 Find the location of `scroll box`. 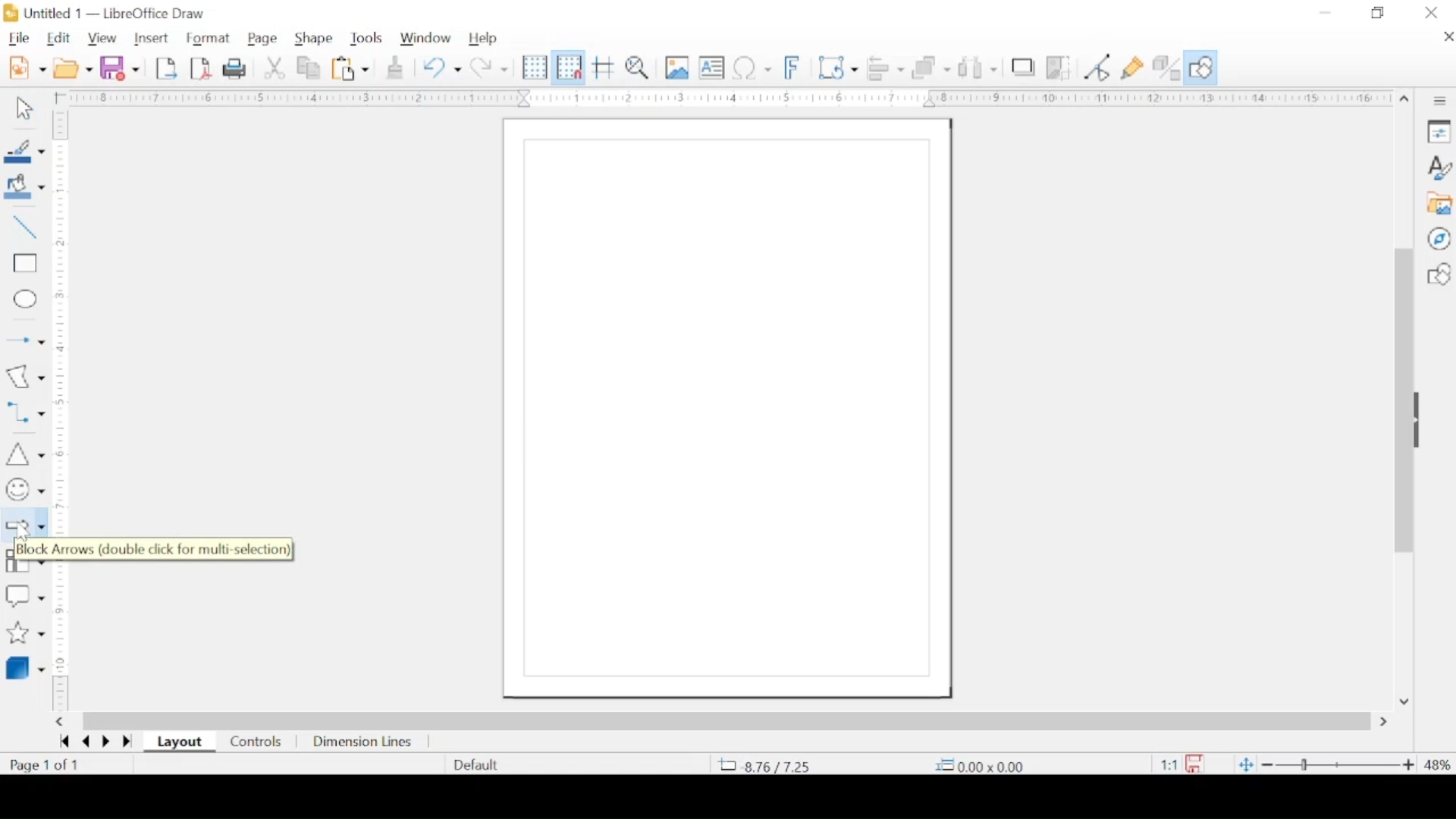

scroll box is located at coordinates (727, 721).